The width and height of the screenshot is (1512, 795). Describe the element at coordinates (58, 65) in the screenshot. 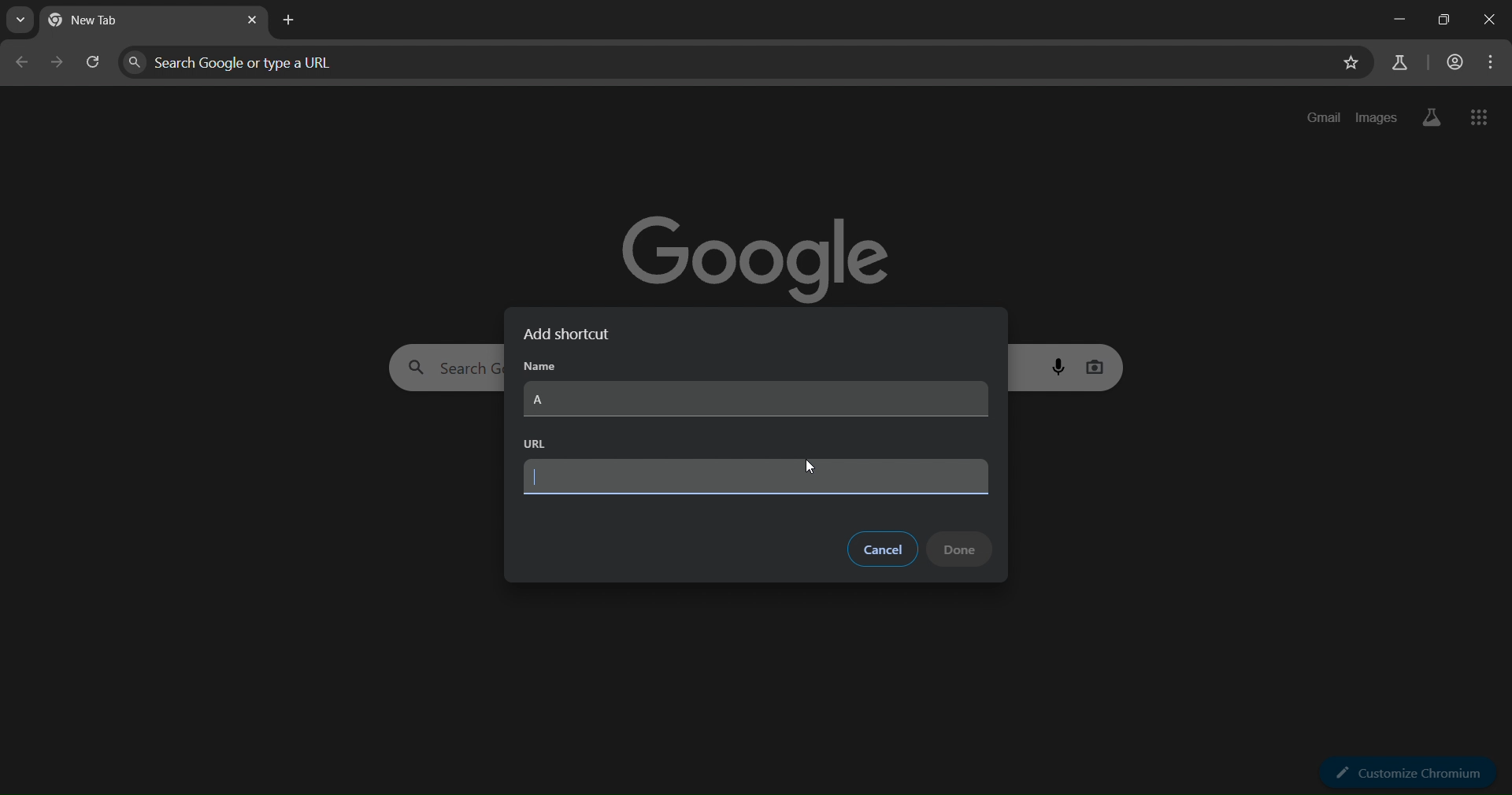

I see `go forward one page` at that location.